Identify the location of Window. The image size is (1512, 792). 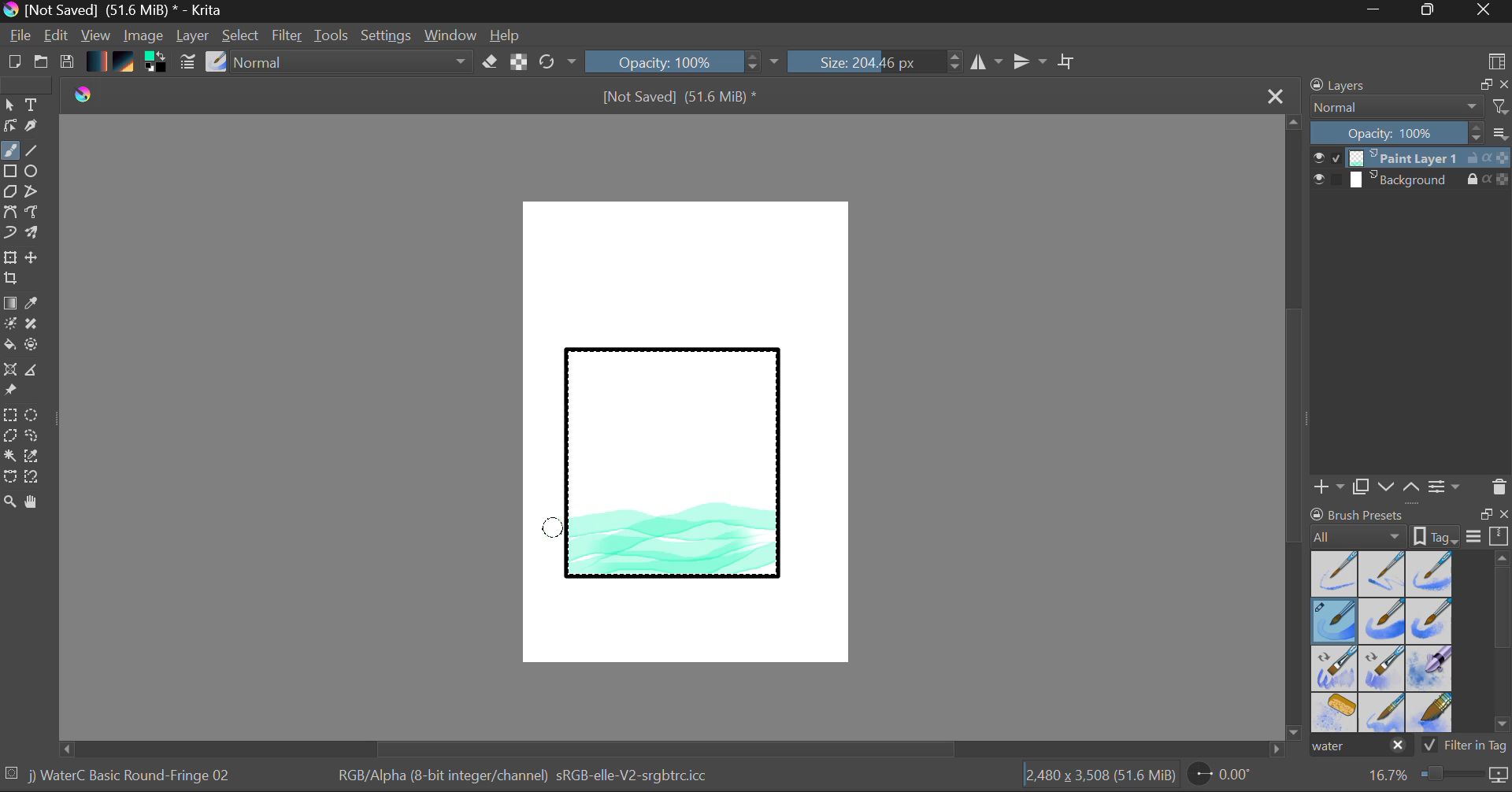
(453, 35).